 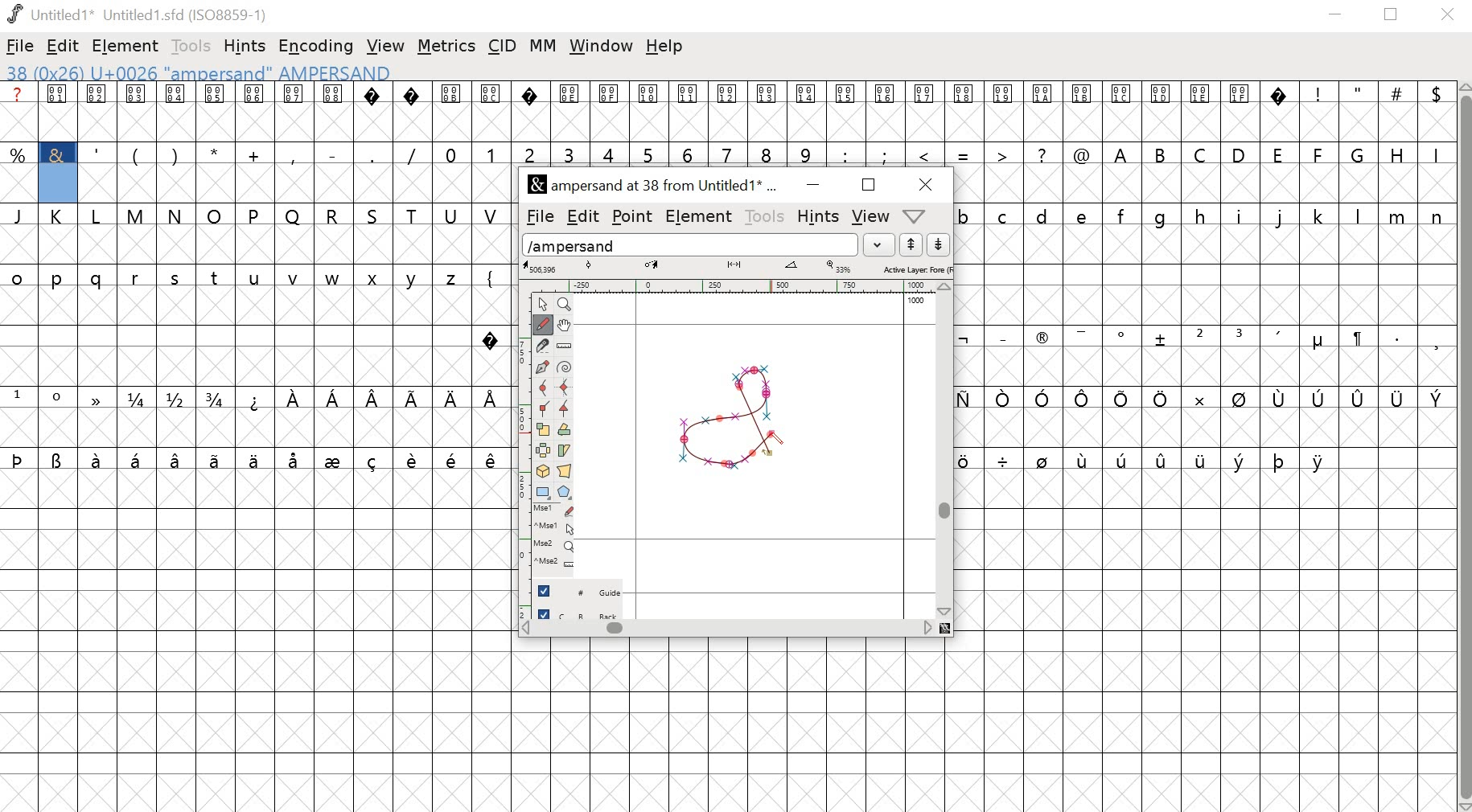 What do you see at coordinates (1003, 153) in the screenshot?
I see `>` at bounding box center [1003, 153].